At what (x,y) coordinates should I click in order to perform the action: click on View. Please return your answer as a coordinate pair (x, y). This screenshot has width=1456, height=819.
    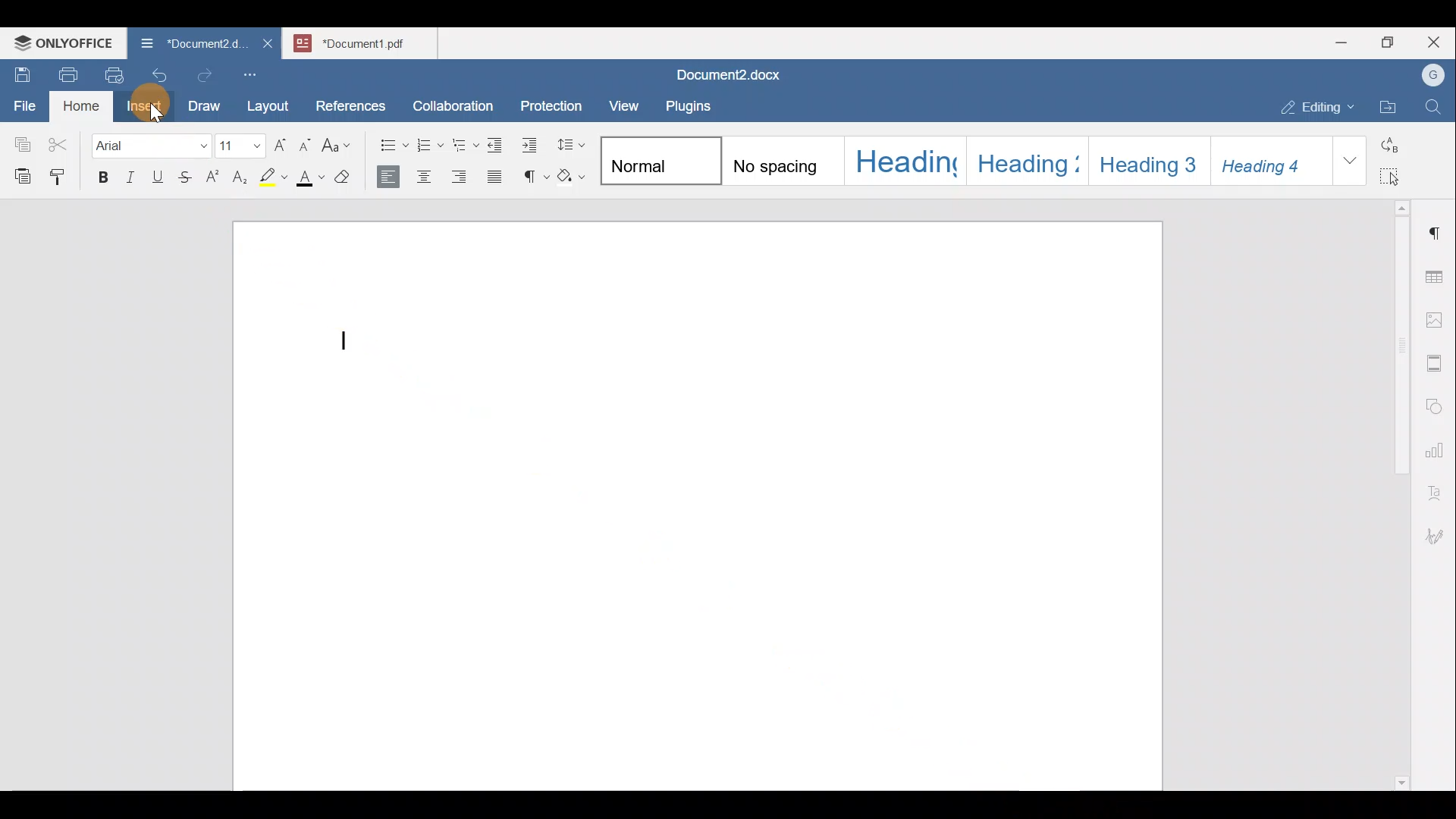
    Looking at the image, I should click on (625, 101).